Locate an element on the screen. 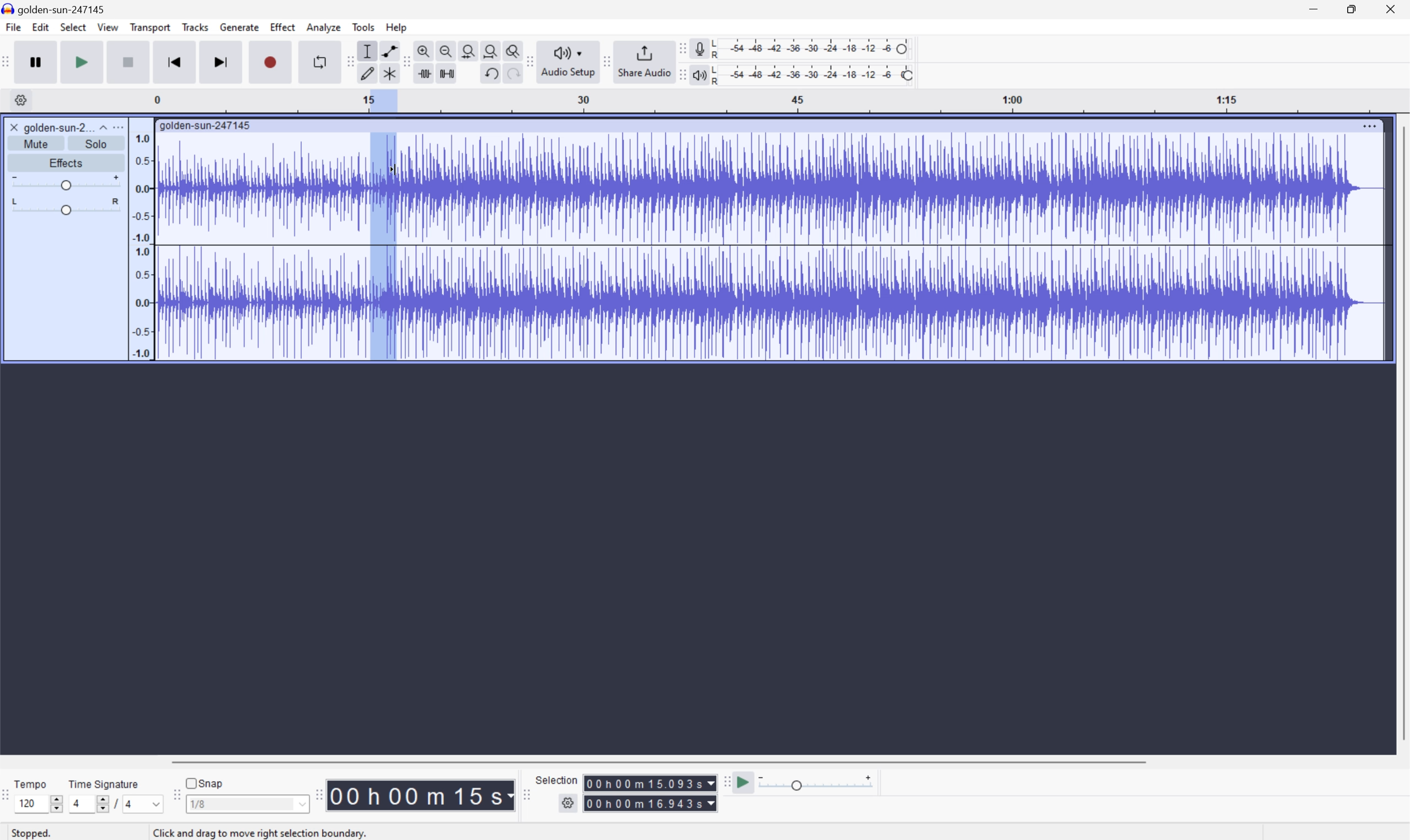  More is located at coordinates (121, 126).